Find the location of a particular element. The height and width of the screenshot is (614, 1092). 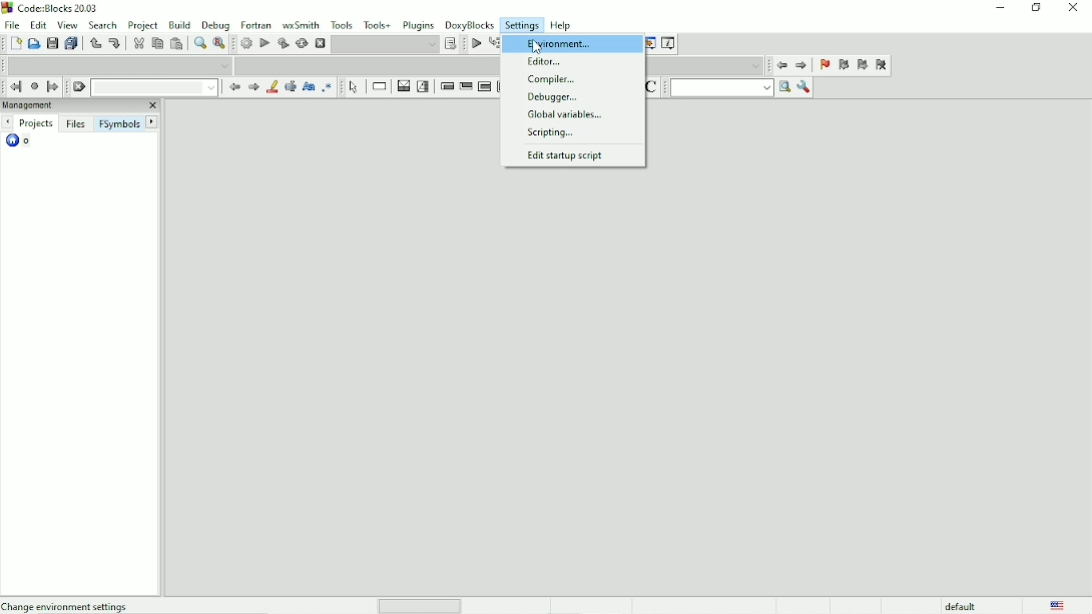

Next is located at coordinates (151, 121).